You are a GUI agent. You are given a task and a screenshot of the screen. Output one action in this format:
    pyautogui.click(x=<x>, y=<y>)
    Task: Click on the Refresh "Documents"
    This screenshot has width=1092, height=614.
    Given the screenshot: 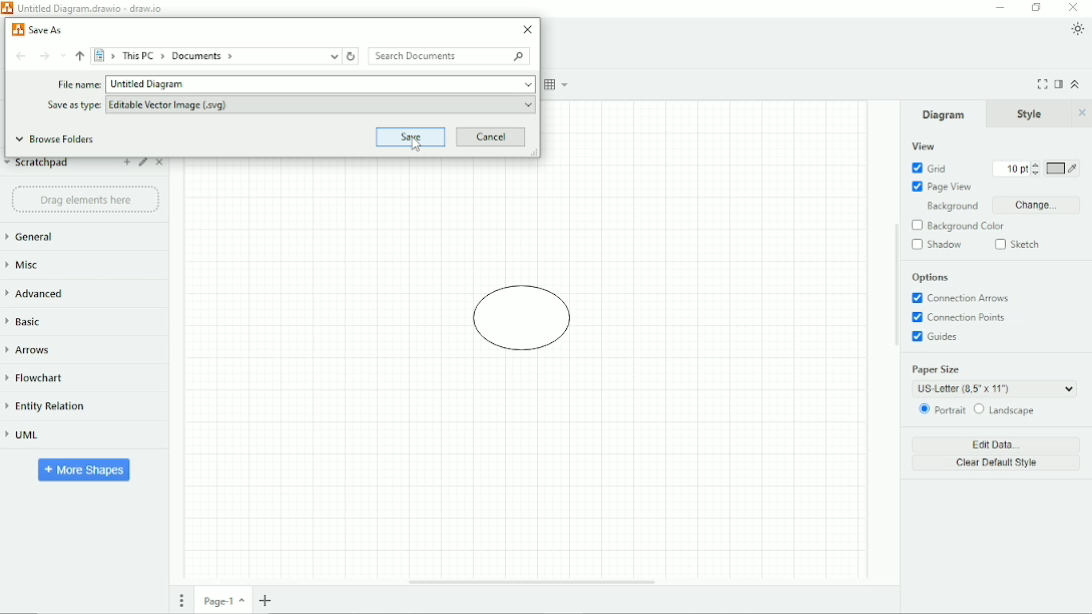 What is the action you would take?
    pyautogui.click(x=352, y=56)
    